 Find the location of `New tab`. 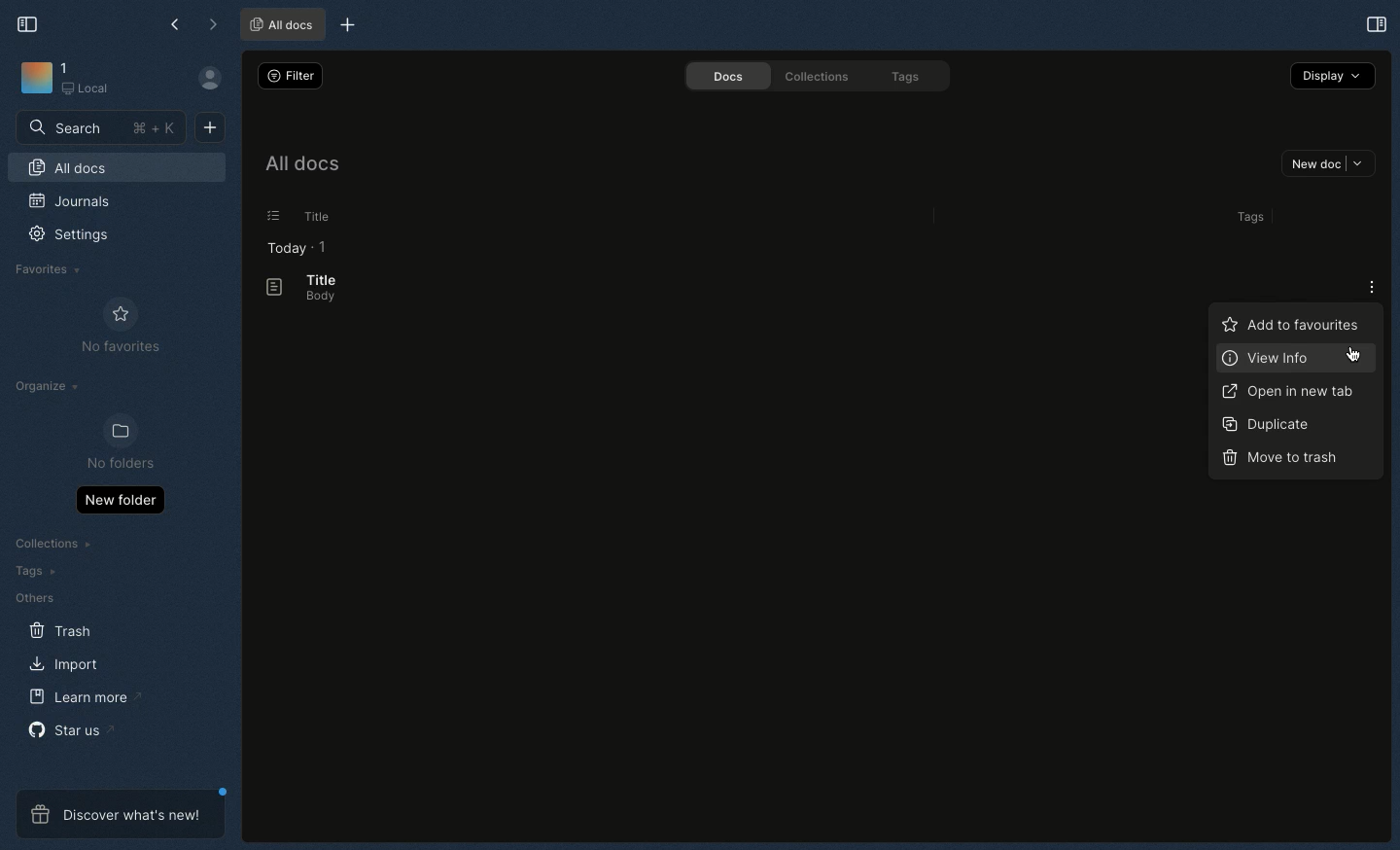

New tab is located at coordinates (344, 26).